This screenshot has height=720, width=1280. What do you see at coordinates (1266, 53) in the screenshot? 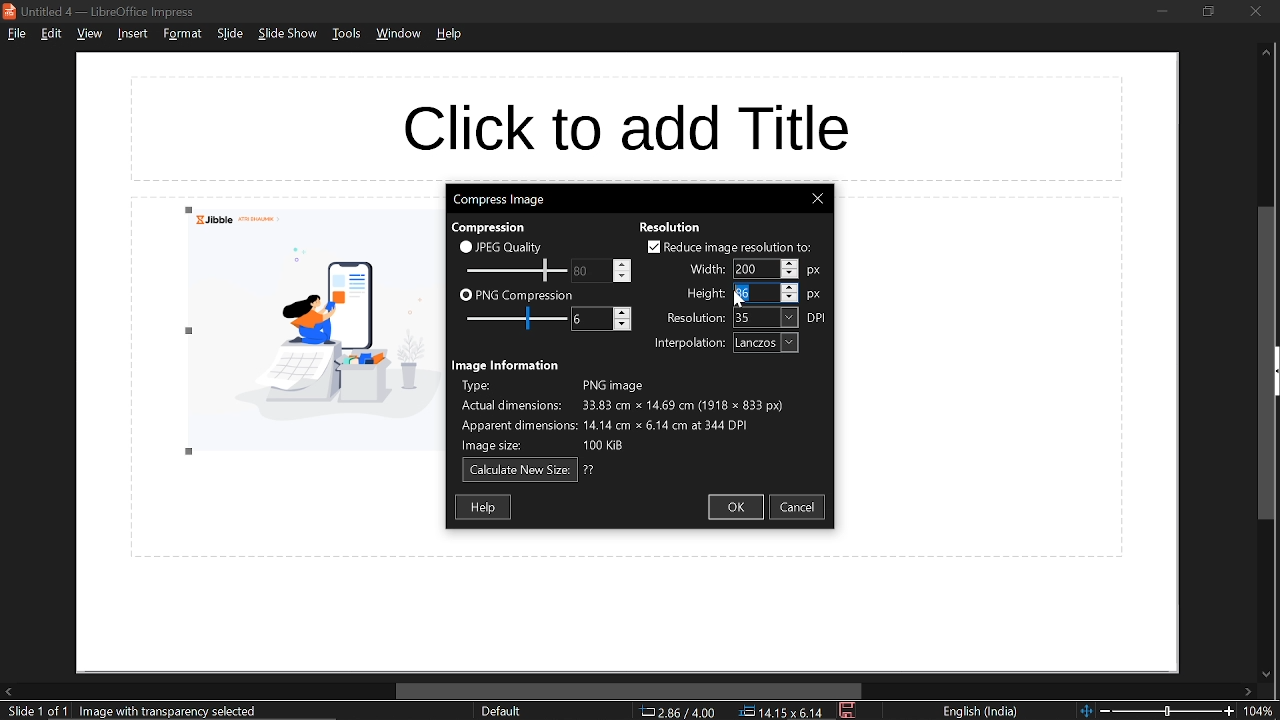
I see `Move up` at bounding box center [1266, 53].